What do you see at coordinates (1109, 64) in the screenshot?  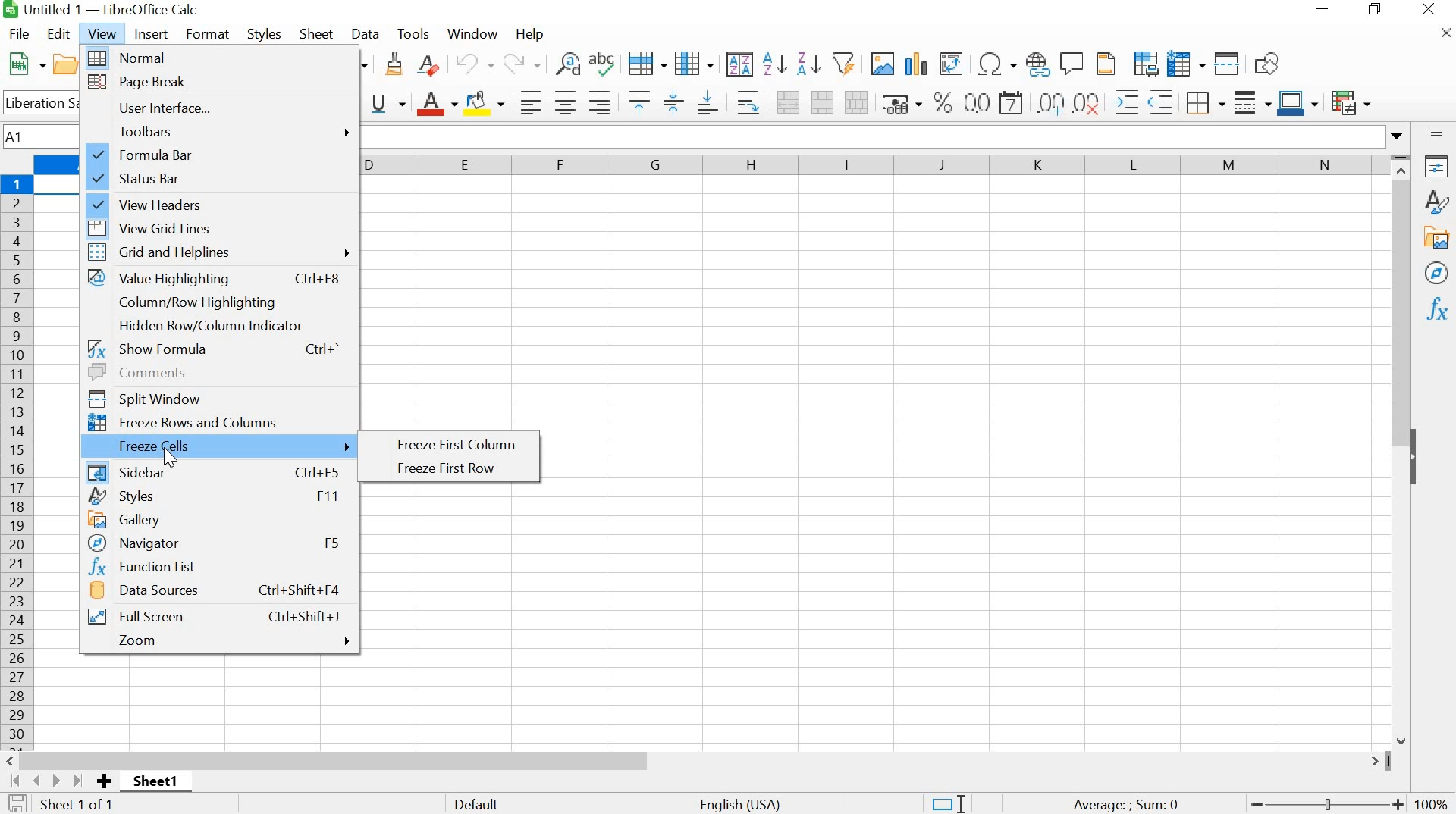 I see `HEADERS AND FOOTERS` at bounding box center [1109, 64].